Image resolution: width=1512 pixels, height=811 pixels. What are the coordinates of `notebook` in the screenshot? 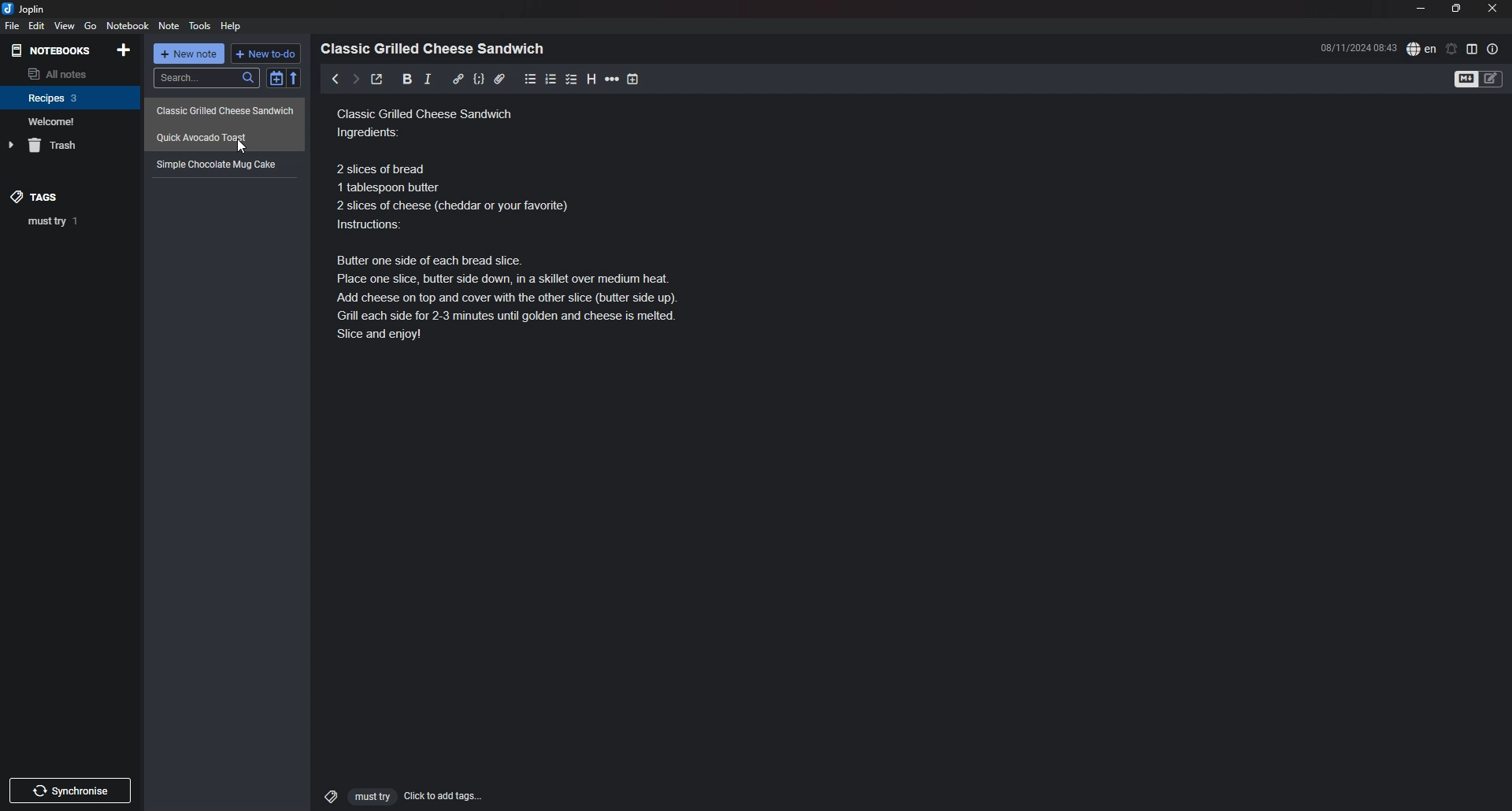 It's located at (71, 97).